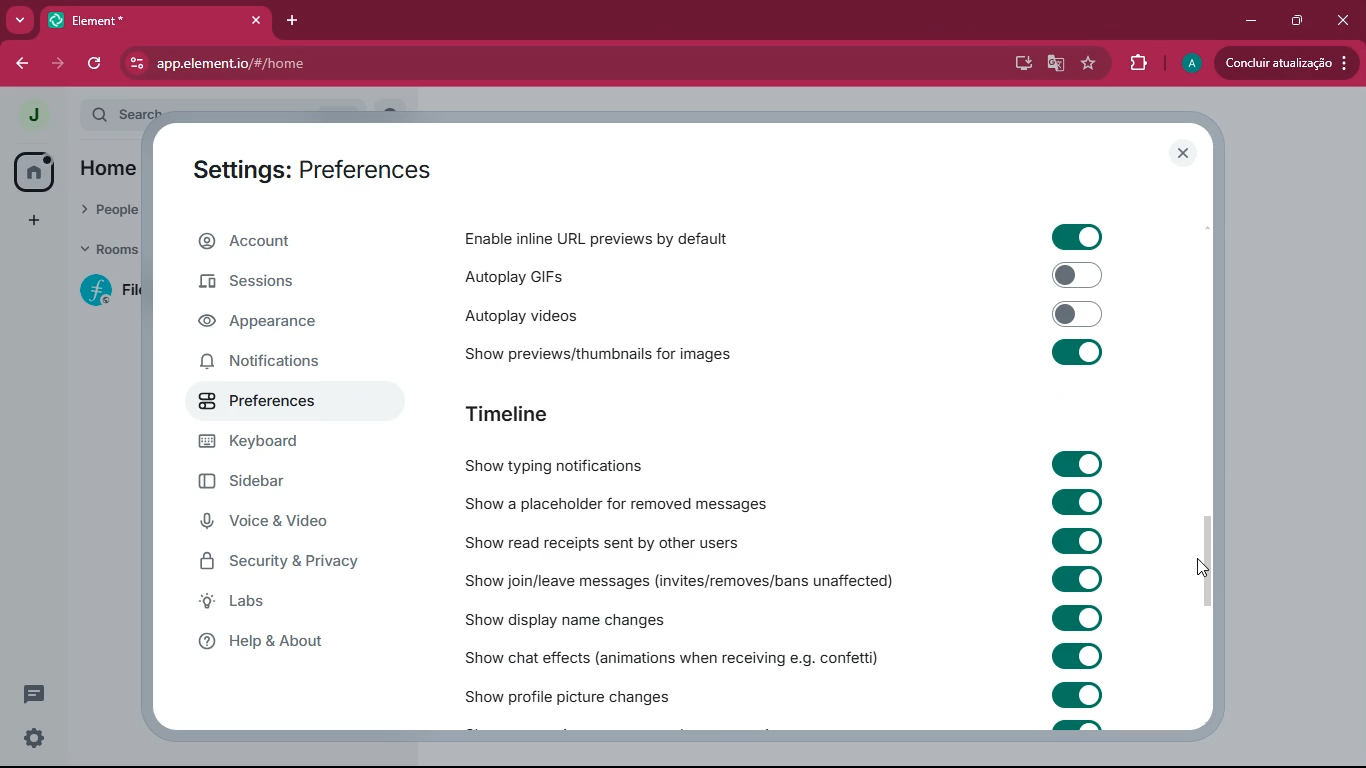 The image size is (1366, 768). What do you see at coordinates (108, 20) in the screenshot?
I see `Element* tab` at bounding box center [108, 20].